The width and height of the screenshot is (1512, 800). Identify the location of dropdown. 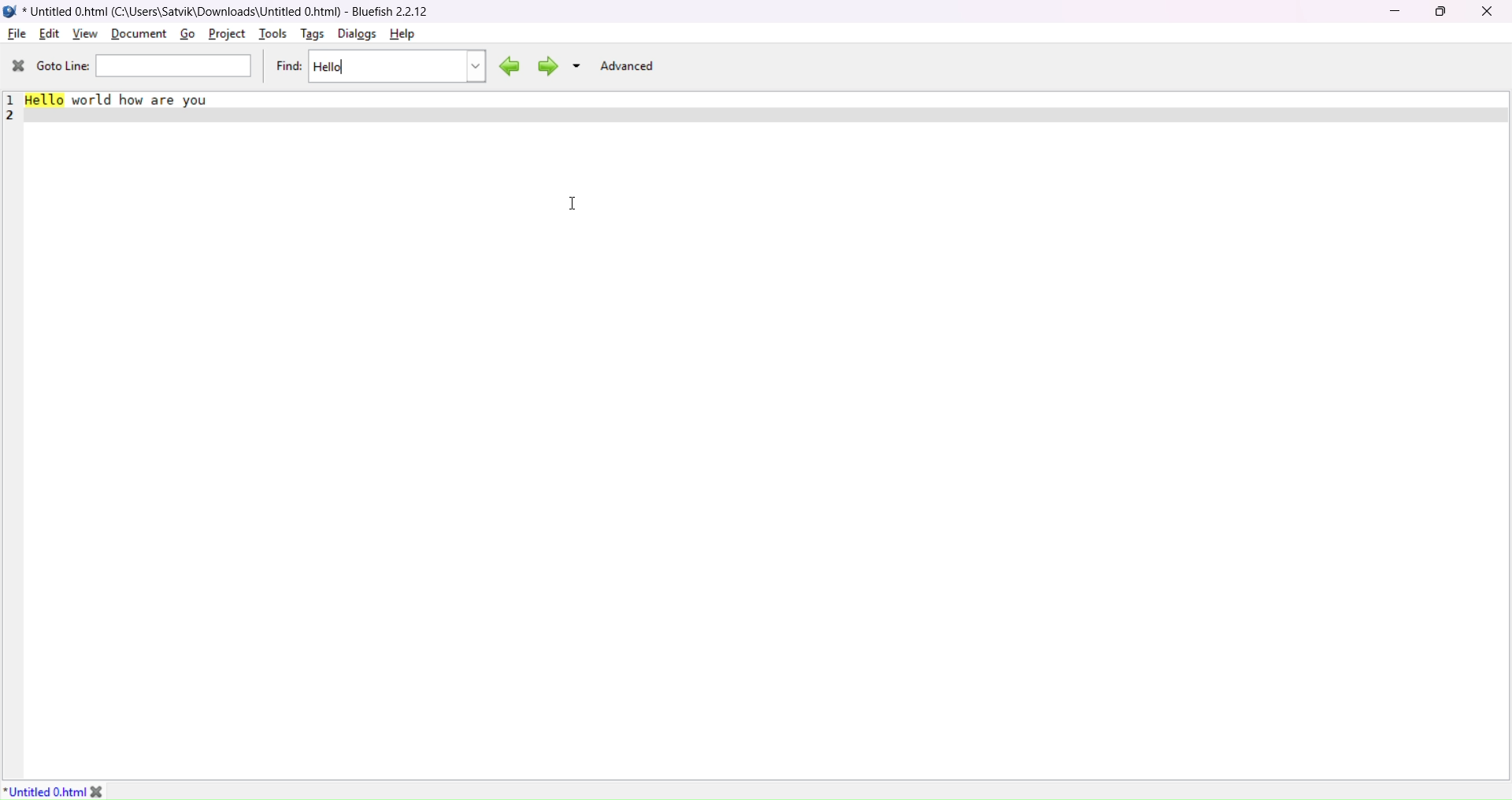
(577, 66).